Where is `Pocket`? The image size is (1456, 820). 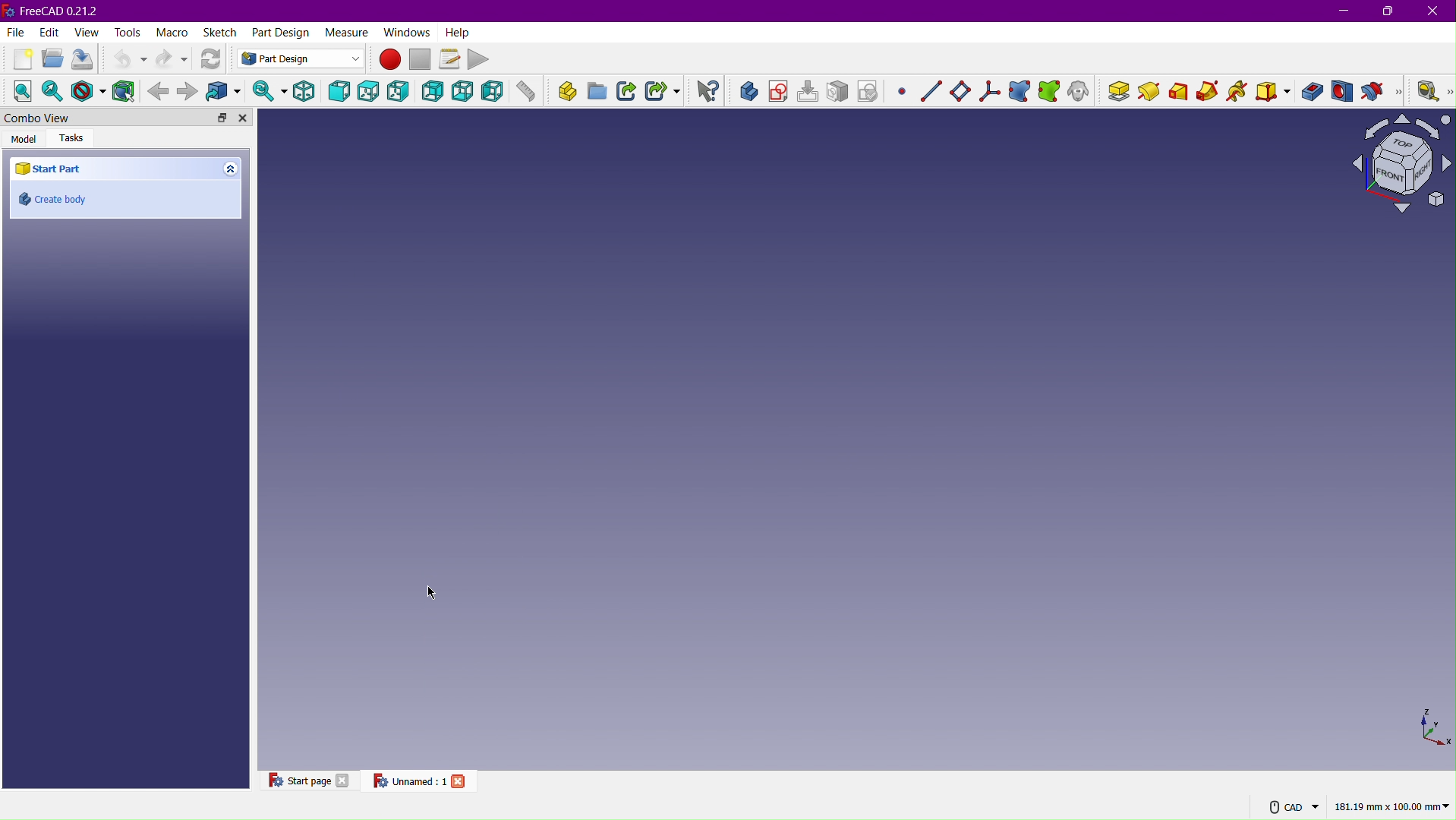
Pocket is located at coordinates (1313, 91).